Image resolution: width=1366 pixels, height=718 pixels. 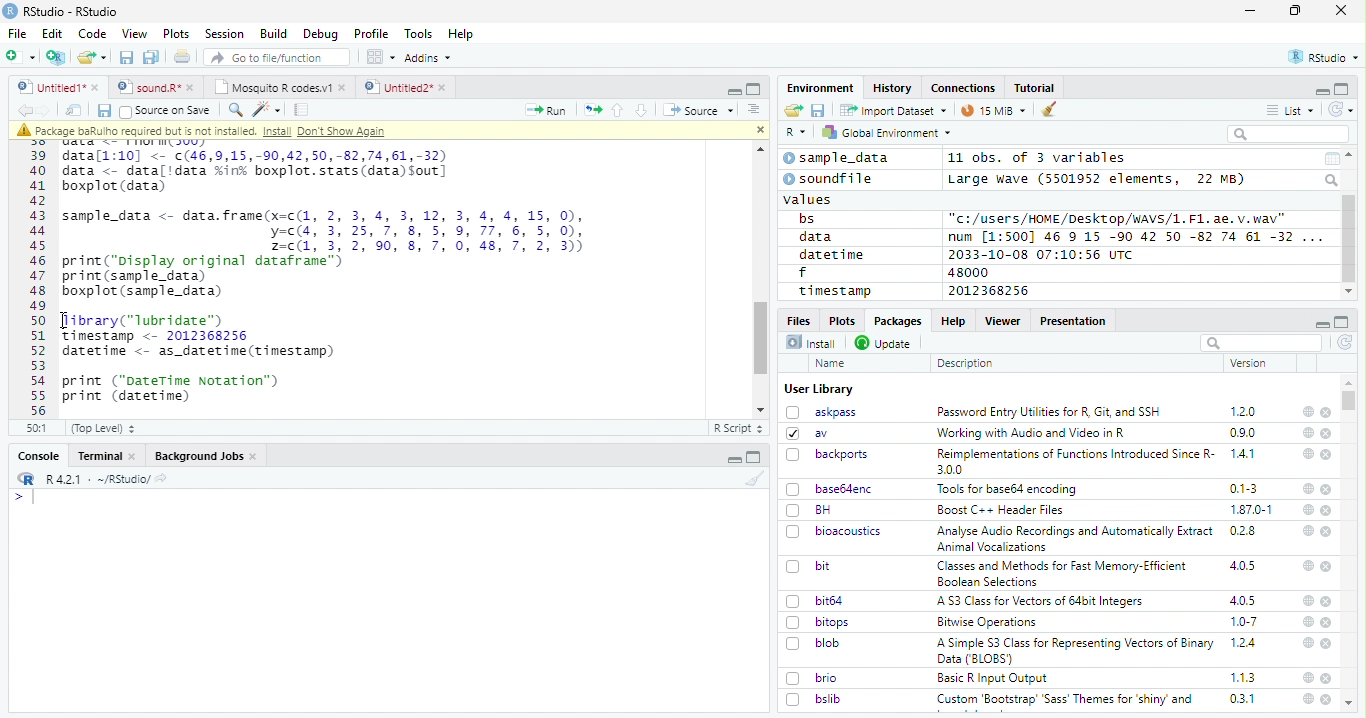 What do you see at coordinates (796, 133) in the screenshot?
I see `R` at bounding box center [796, 133].